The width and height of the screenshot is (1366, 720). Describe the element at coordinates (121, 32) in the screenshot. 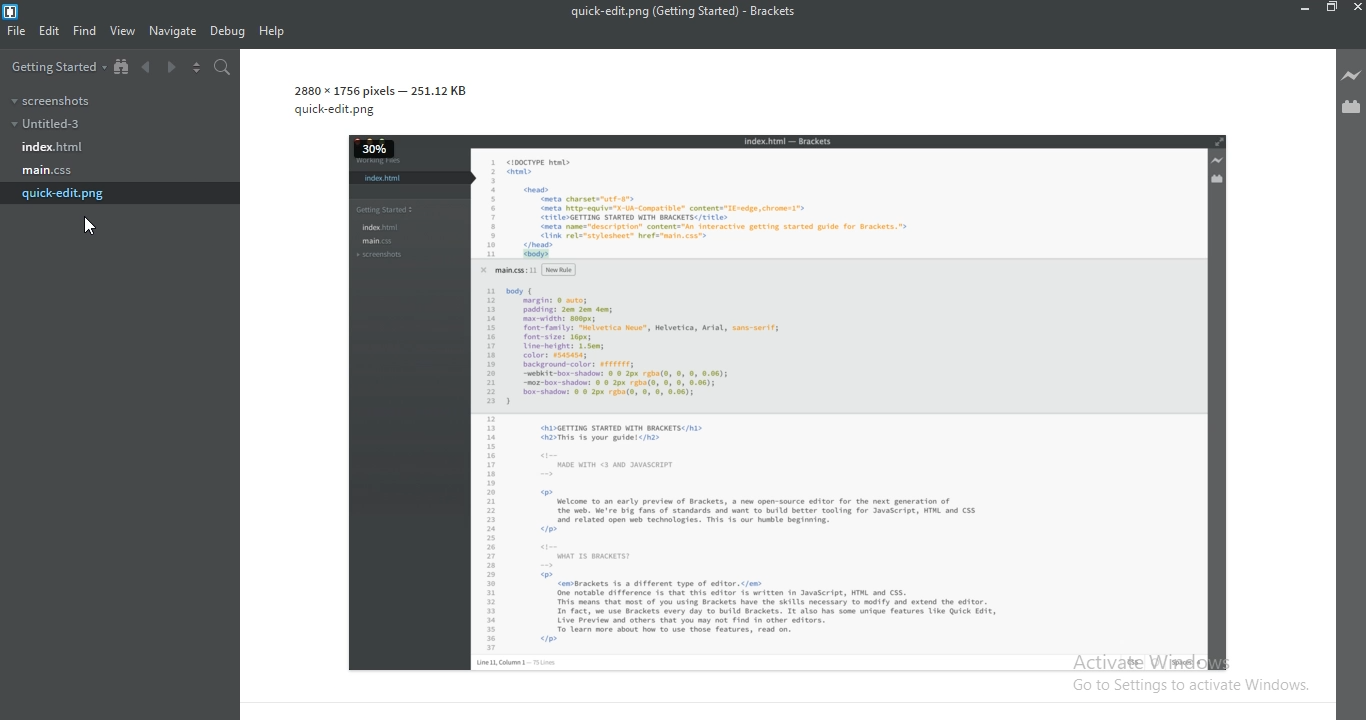

I see `view` at that location.